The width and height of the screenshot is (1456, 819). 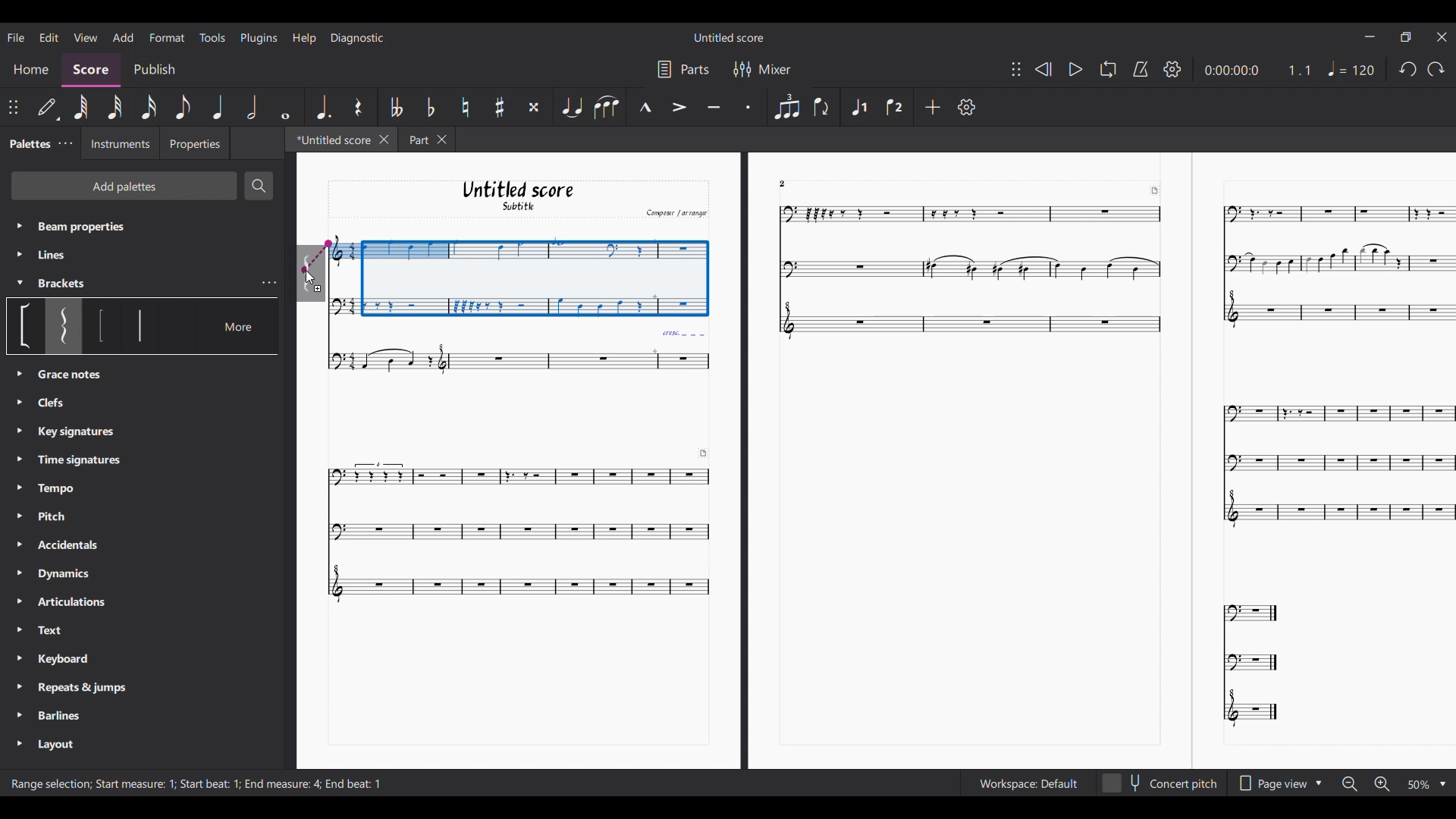 What do you see at coordinates (354, 783) in the screenshot?
I see `End beat :1` at bounding box center [354, 783].